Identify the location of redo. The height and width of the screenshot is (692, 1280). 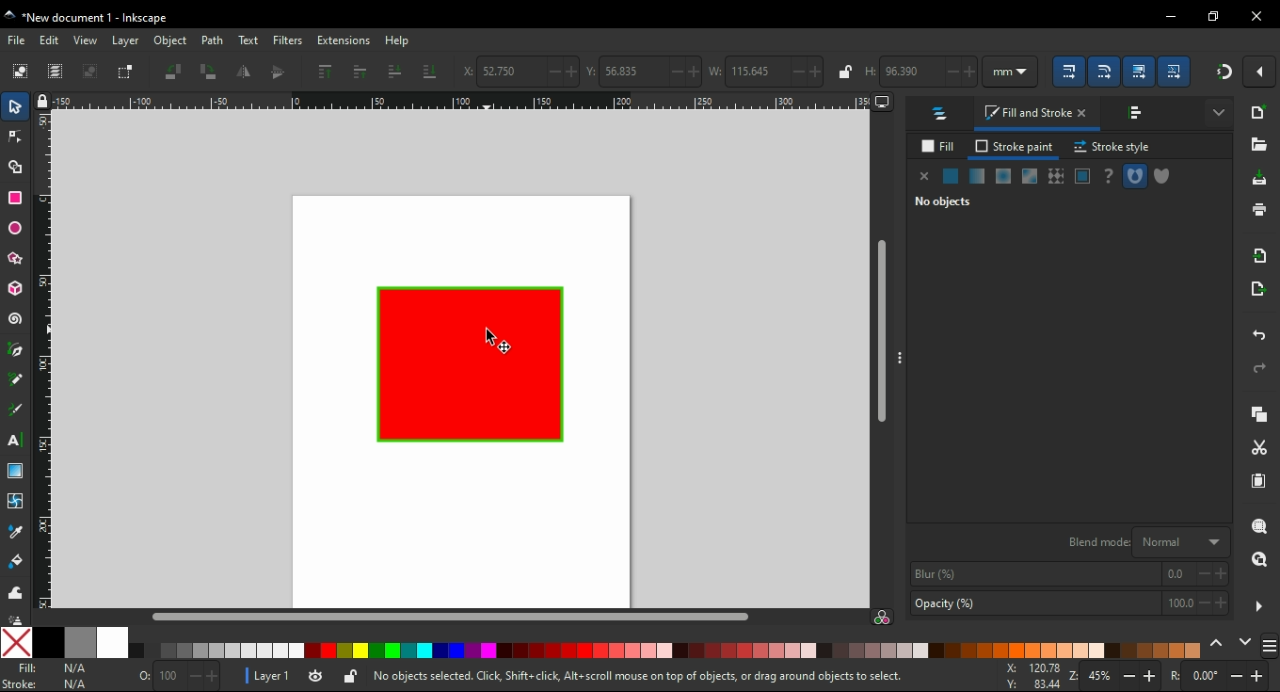
(1260, 368).